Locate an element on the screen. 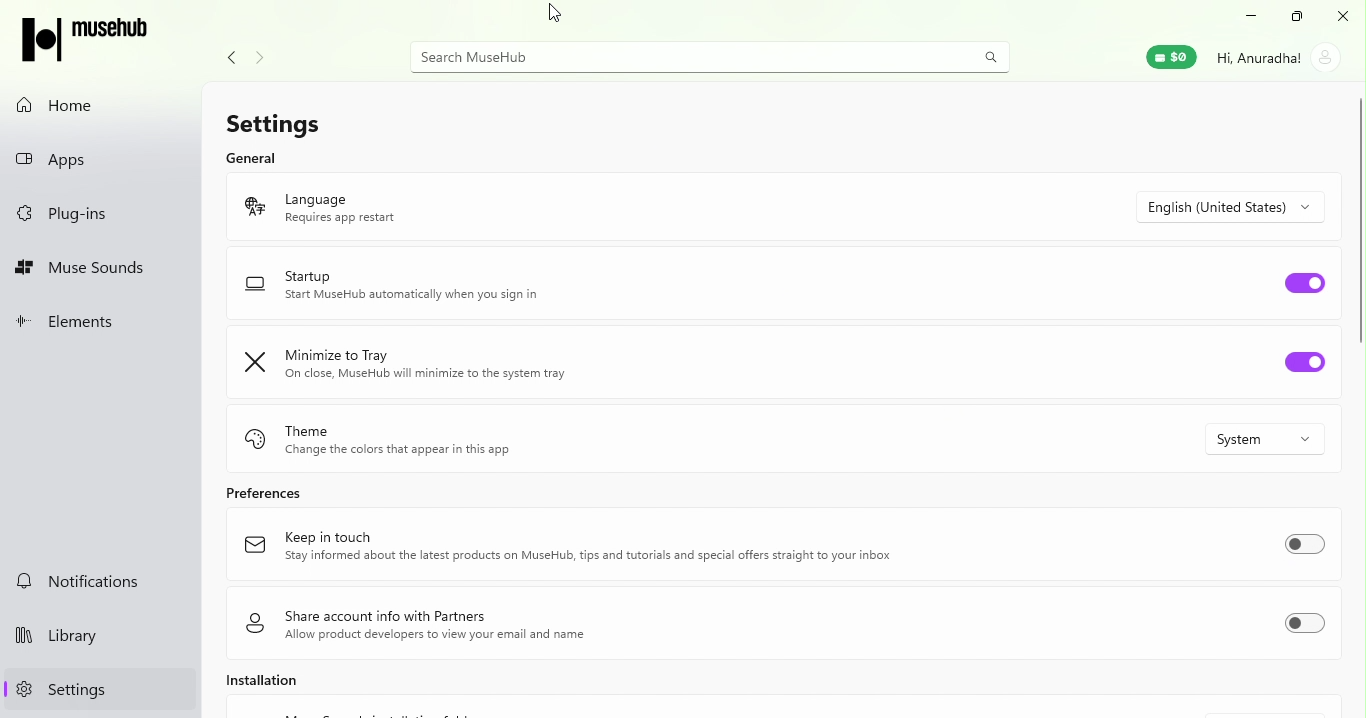  Settings is located at coordinates (289, 119).